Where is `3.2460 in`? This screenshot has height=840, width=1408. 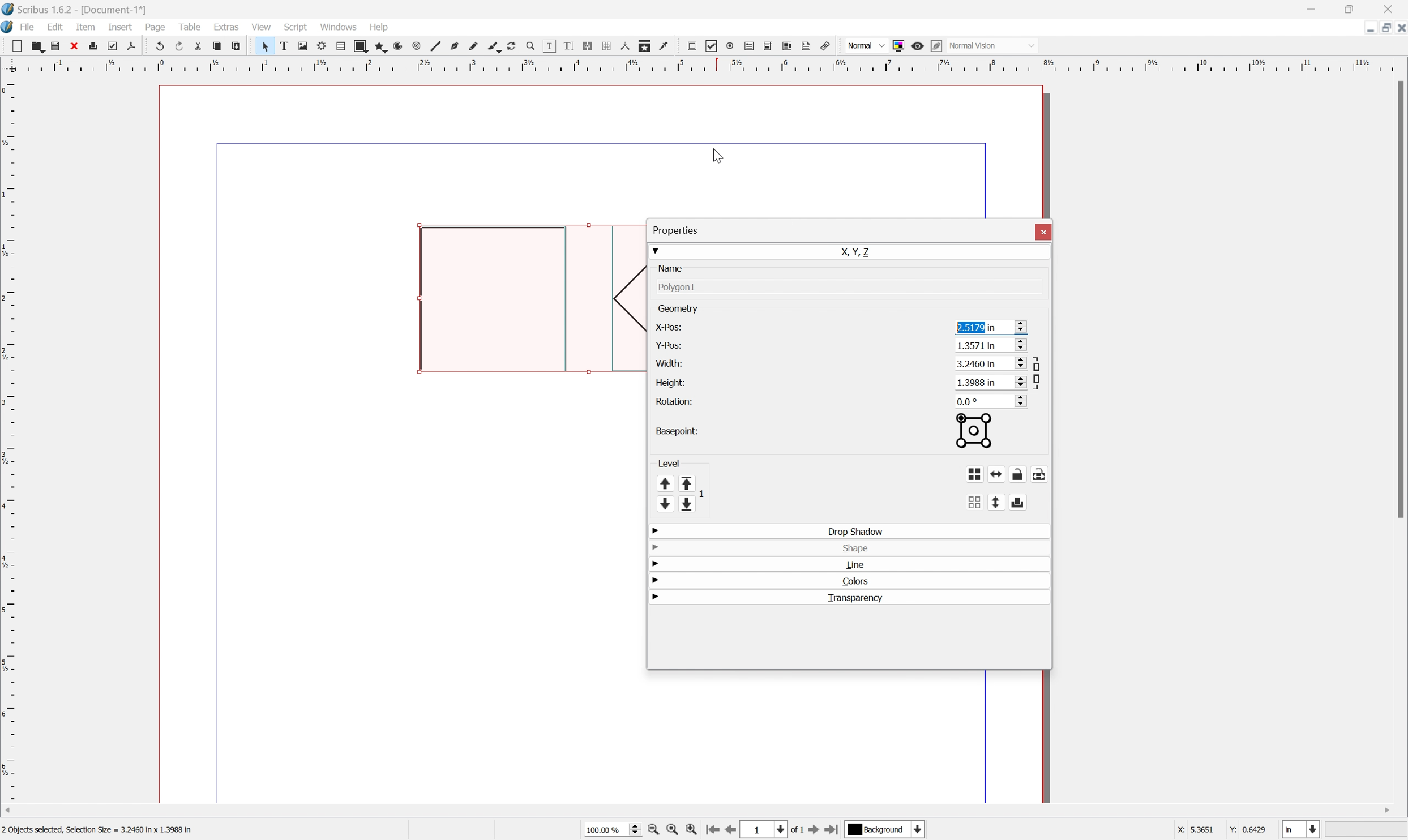
3.2460 in is located at coordinates (987, 363).